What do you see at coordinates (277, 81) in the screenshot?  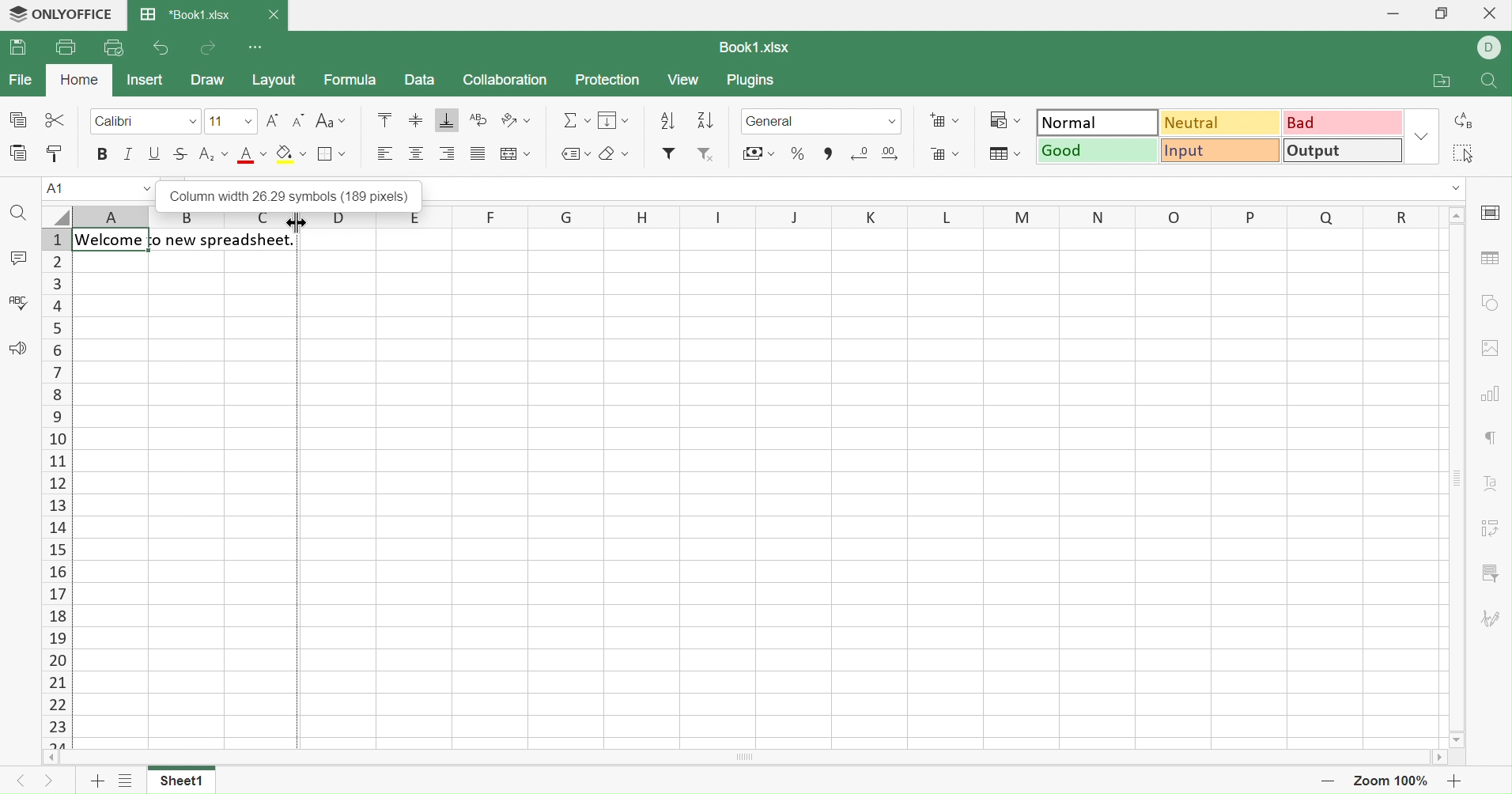 I see `Layout` at bounding box center [277, 81].